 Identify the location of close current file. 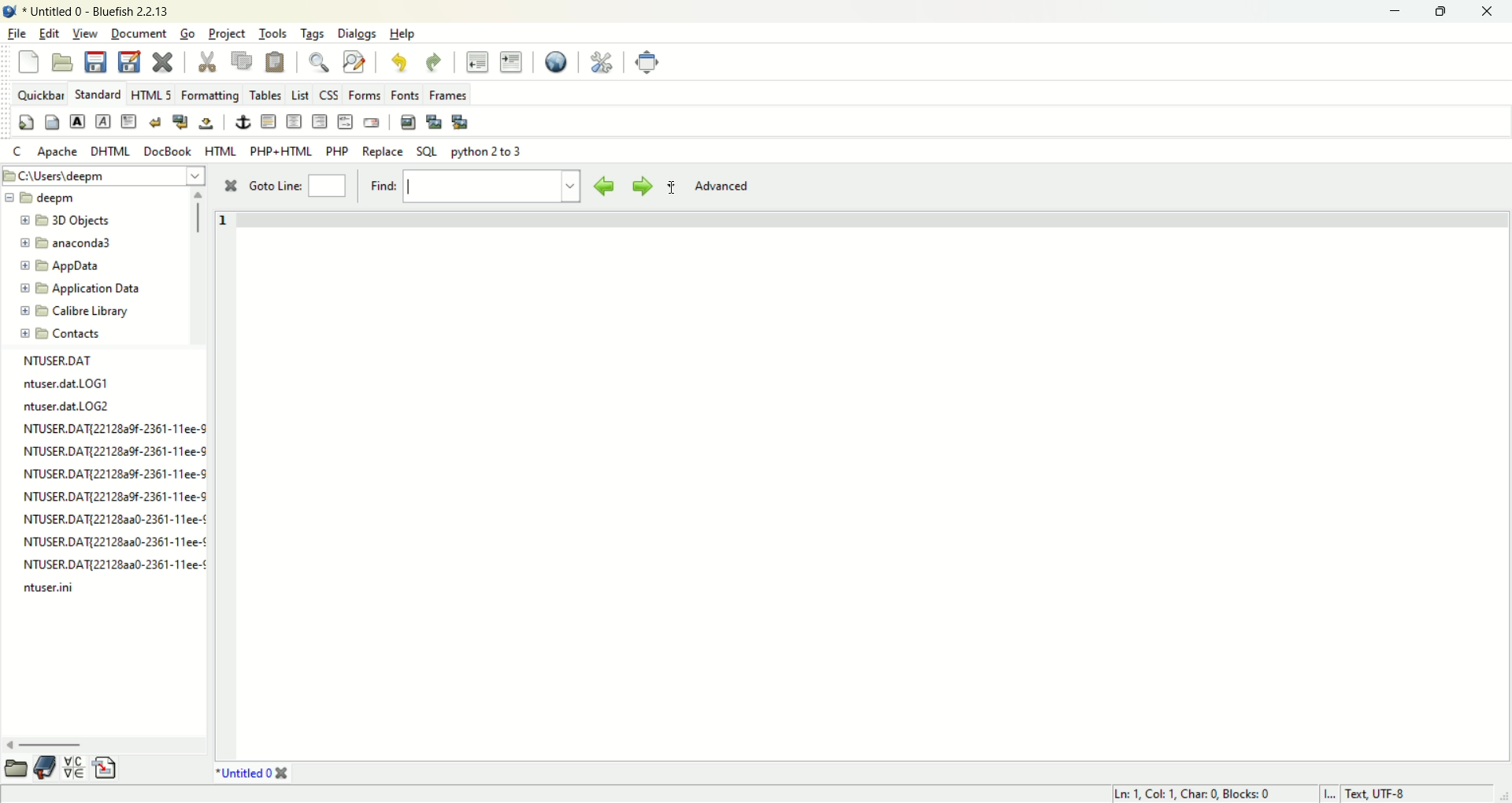
(163, 62).